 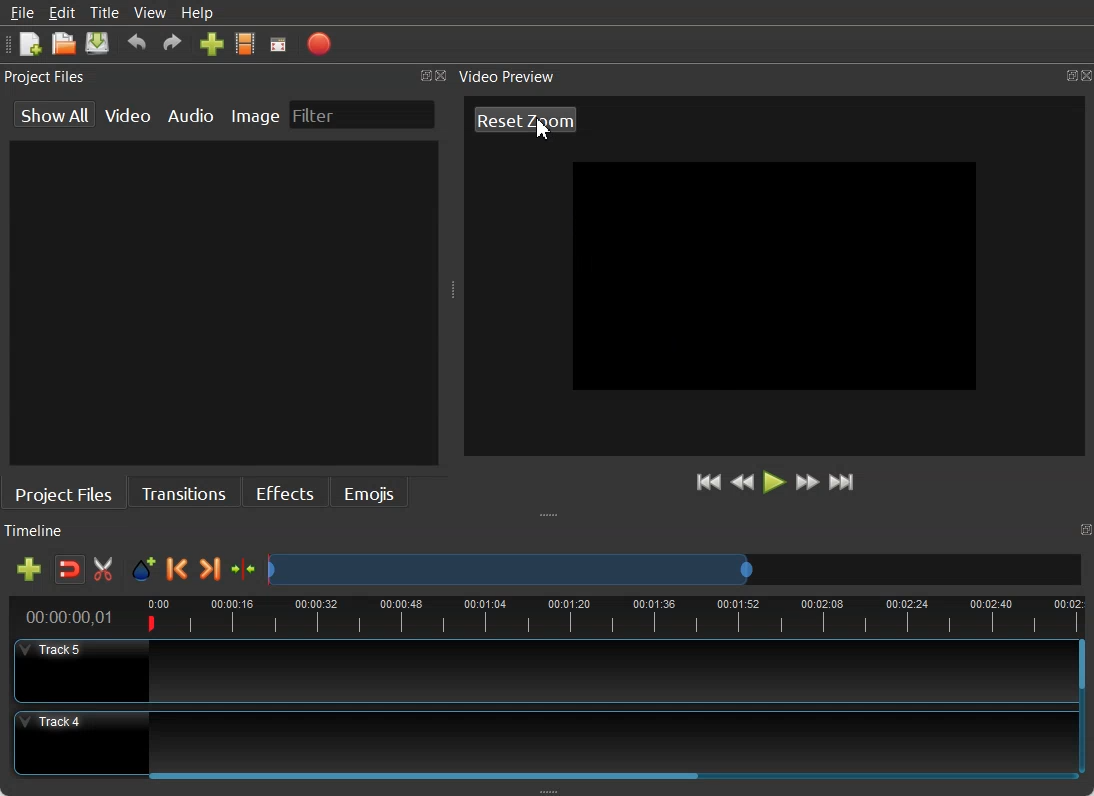 I want to click on Track 4, so click(x=543, y=740).